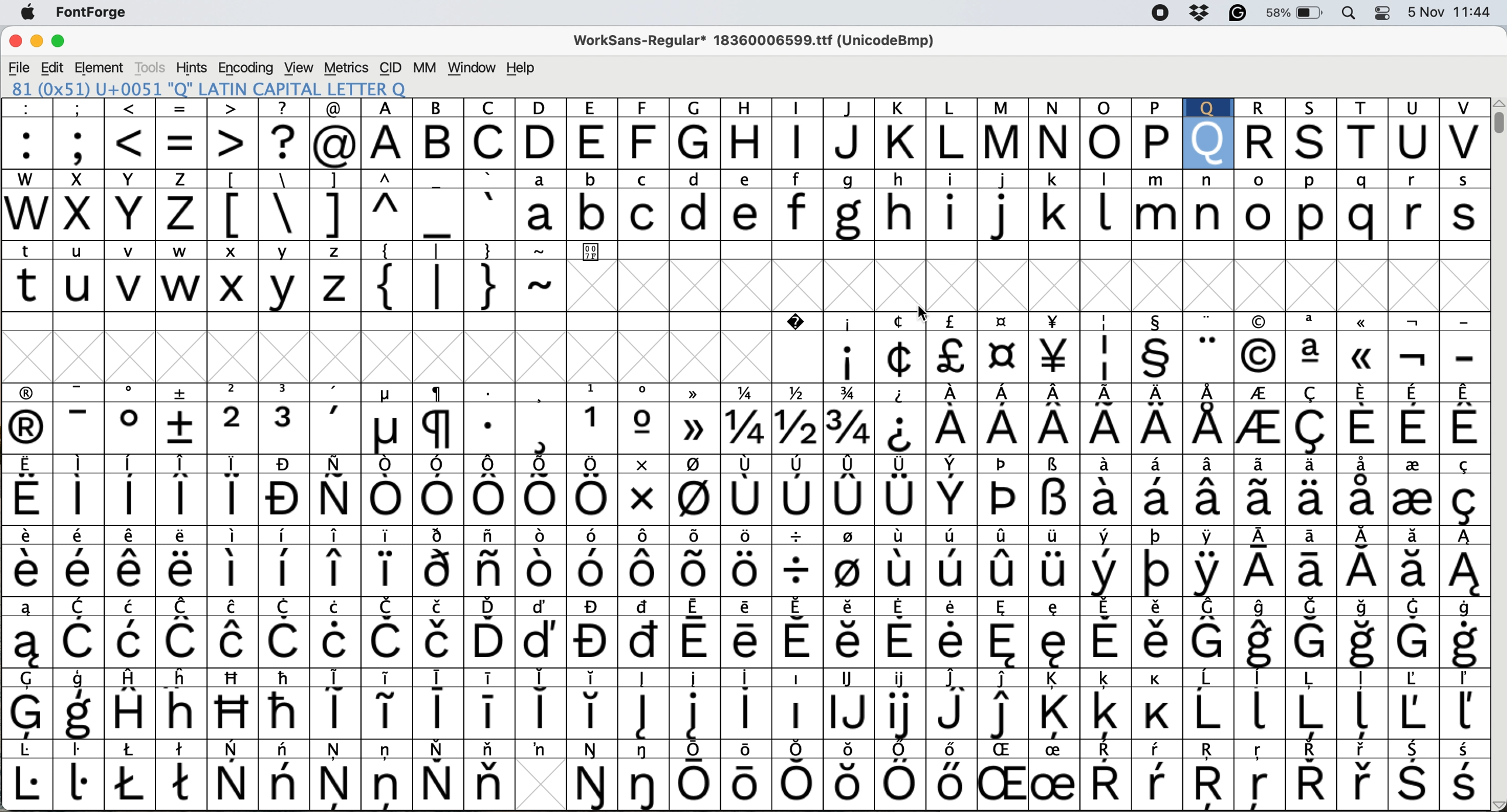 The width and height of the screenshot is (1507, 812). What do you see at coordinates (461, 287) in the screenshot?
I see `special characters` at bounding box center [461, 287].